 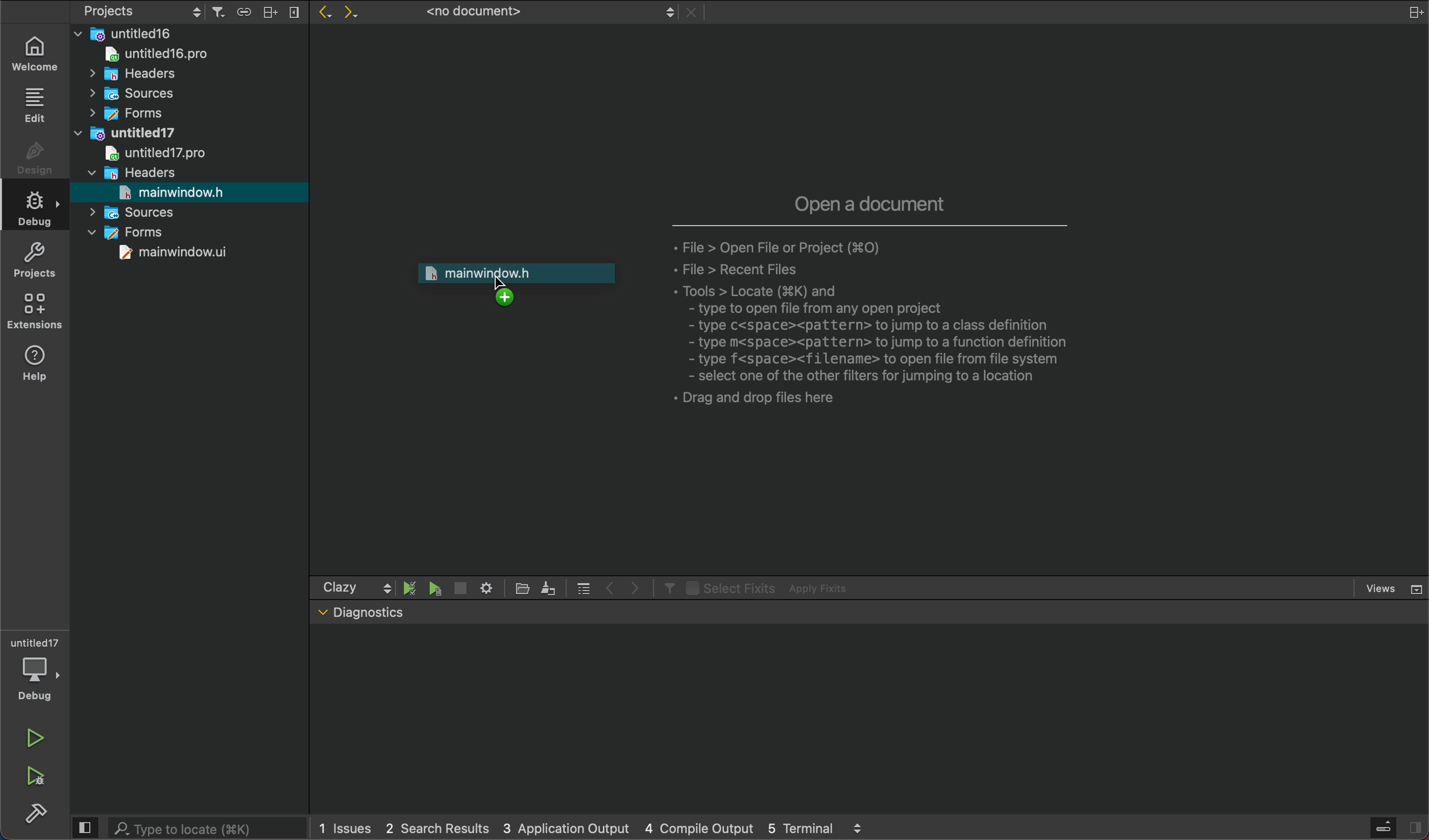 I want to click on filter, so click(x=218, y=12).